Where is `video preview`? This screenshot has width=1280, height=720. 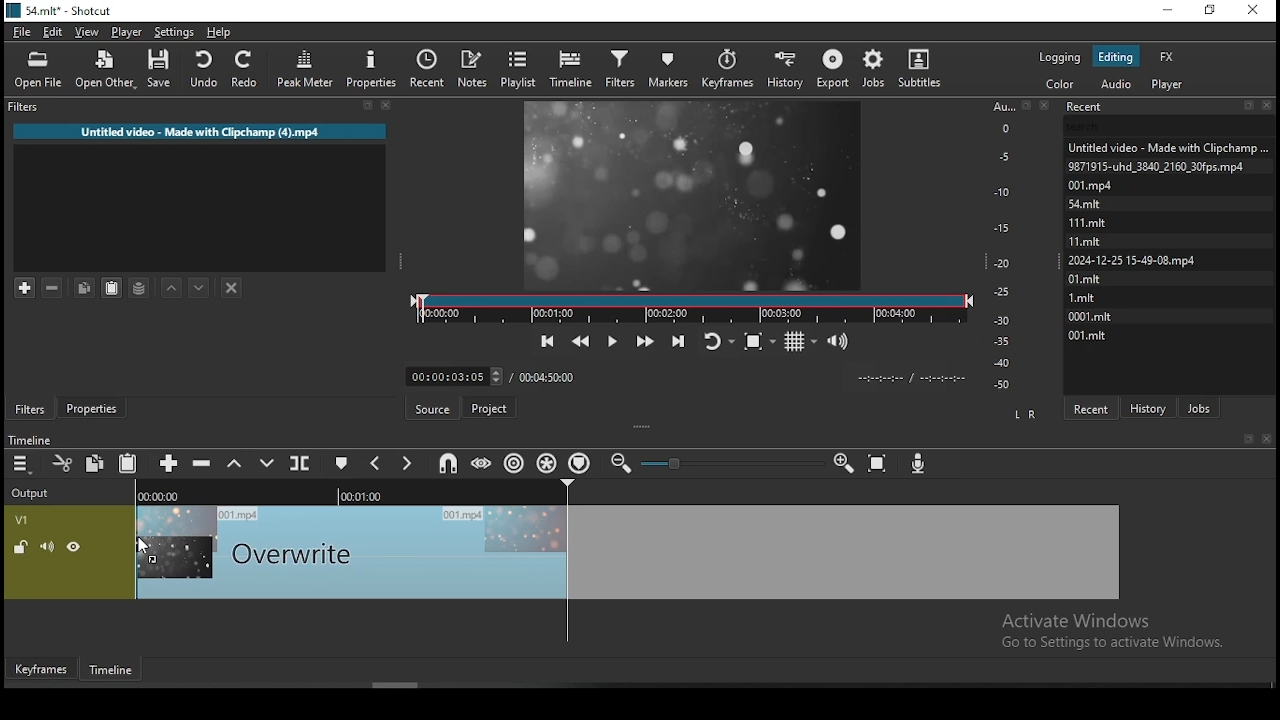 video preview is located at coordinates (691, 194).